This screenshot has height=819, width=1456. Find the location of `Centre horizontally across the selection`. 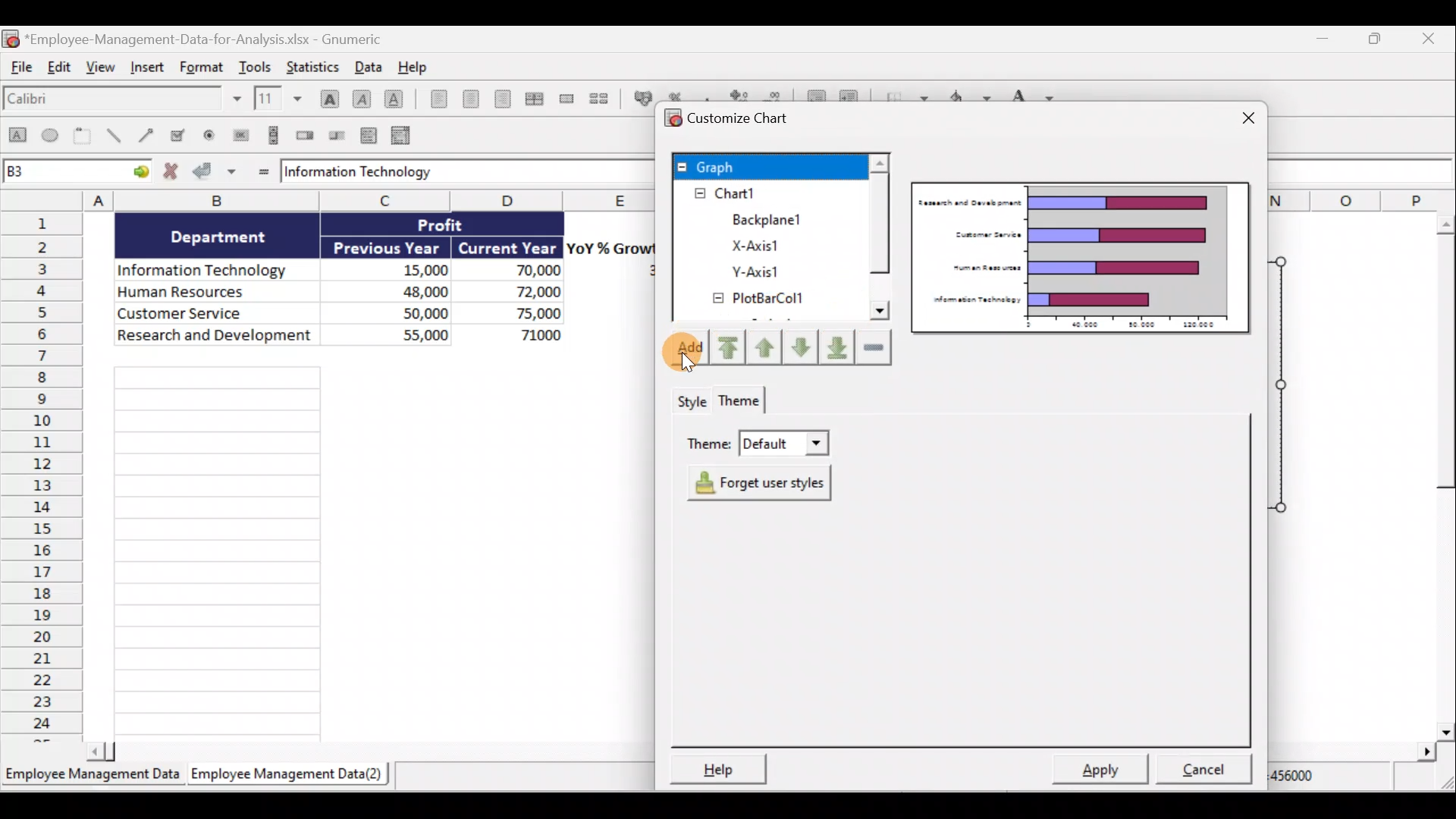

Centre horizontally across the selection is located at coordinates (537, 99).